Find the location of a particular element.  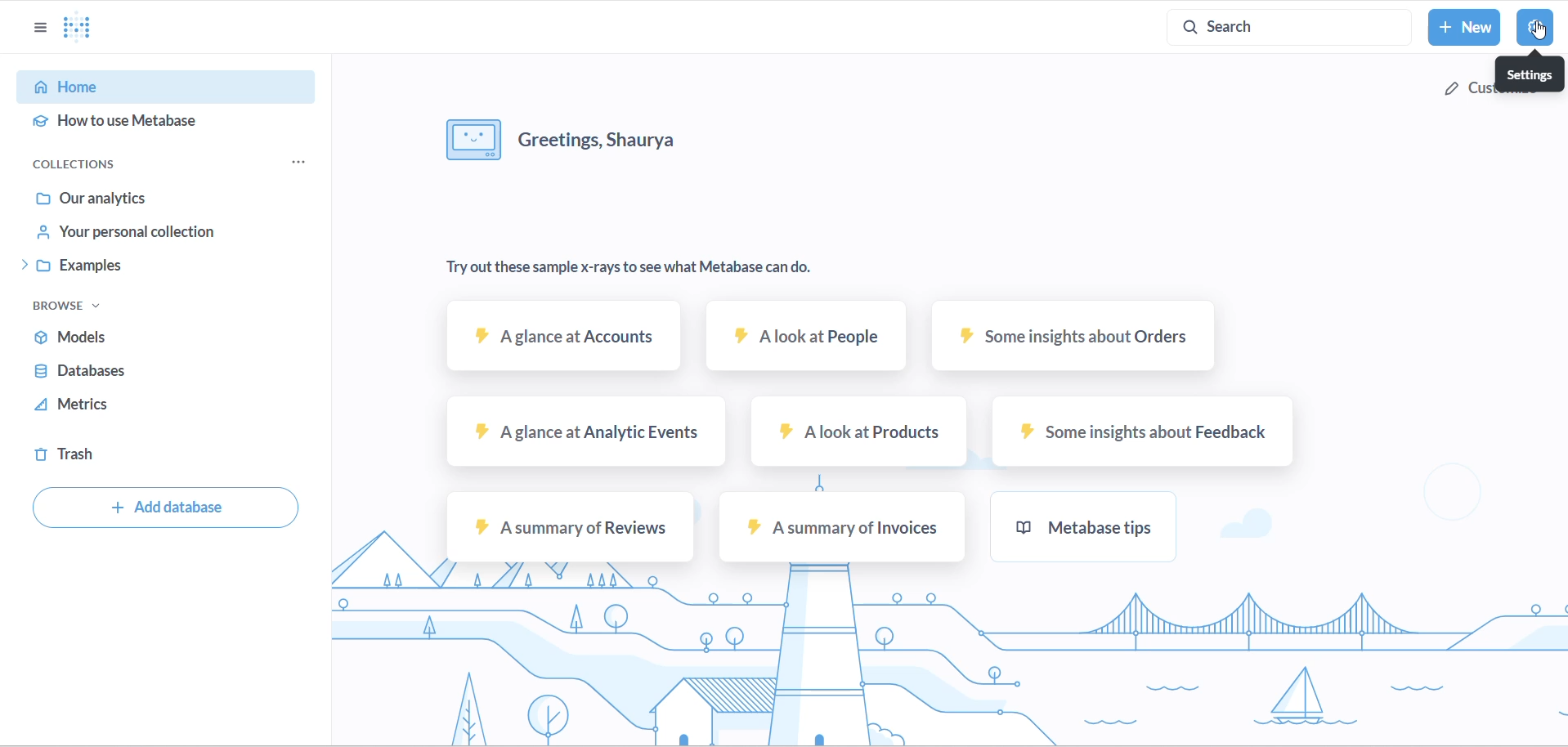

new is located at coordinates (1467, 27).